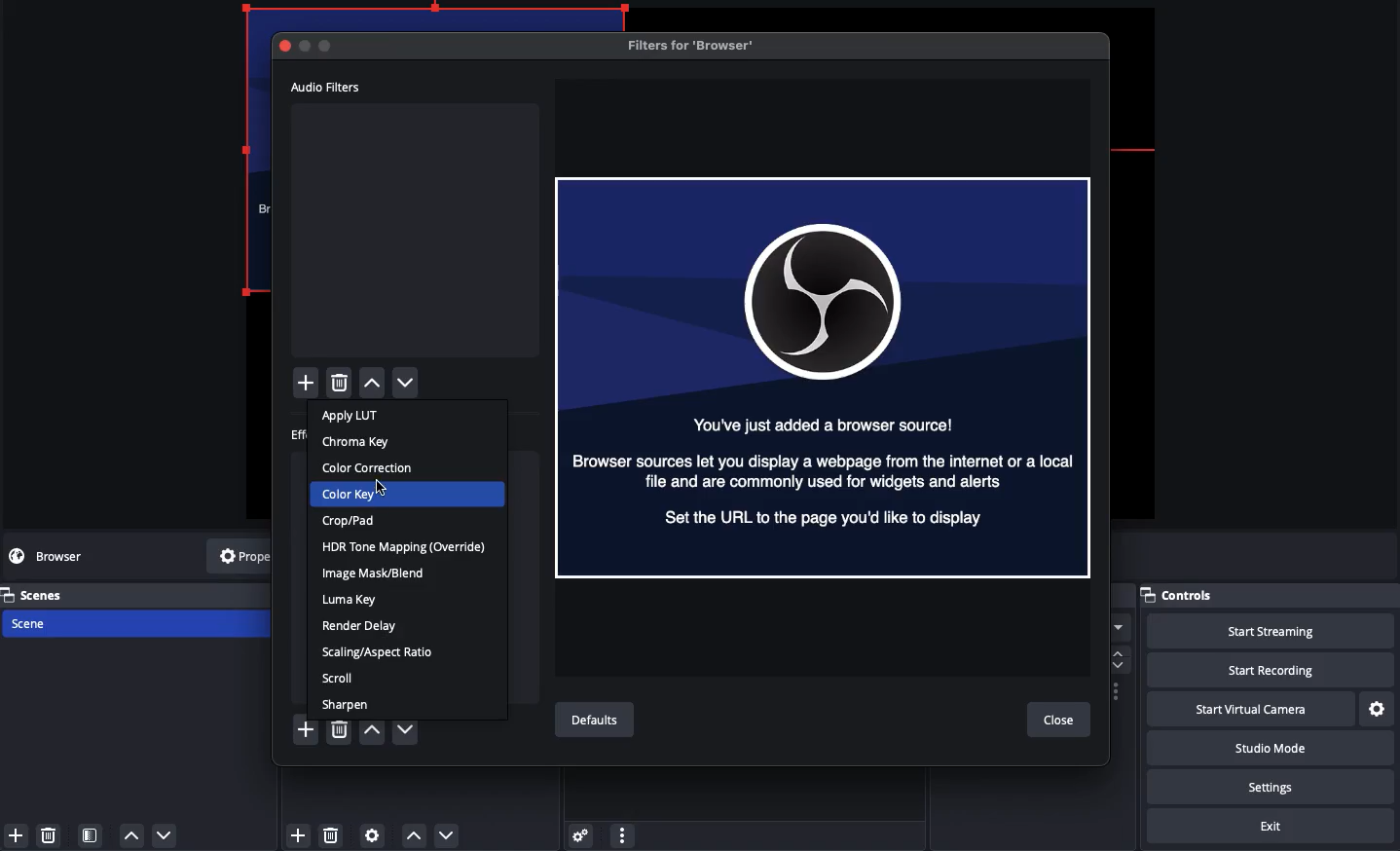  What do you see at coordinates (825, 377) in the screenshot?
I see `Browser` at bounding box center [825, 377].